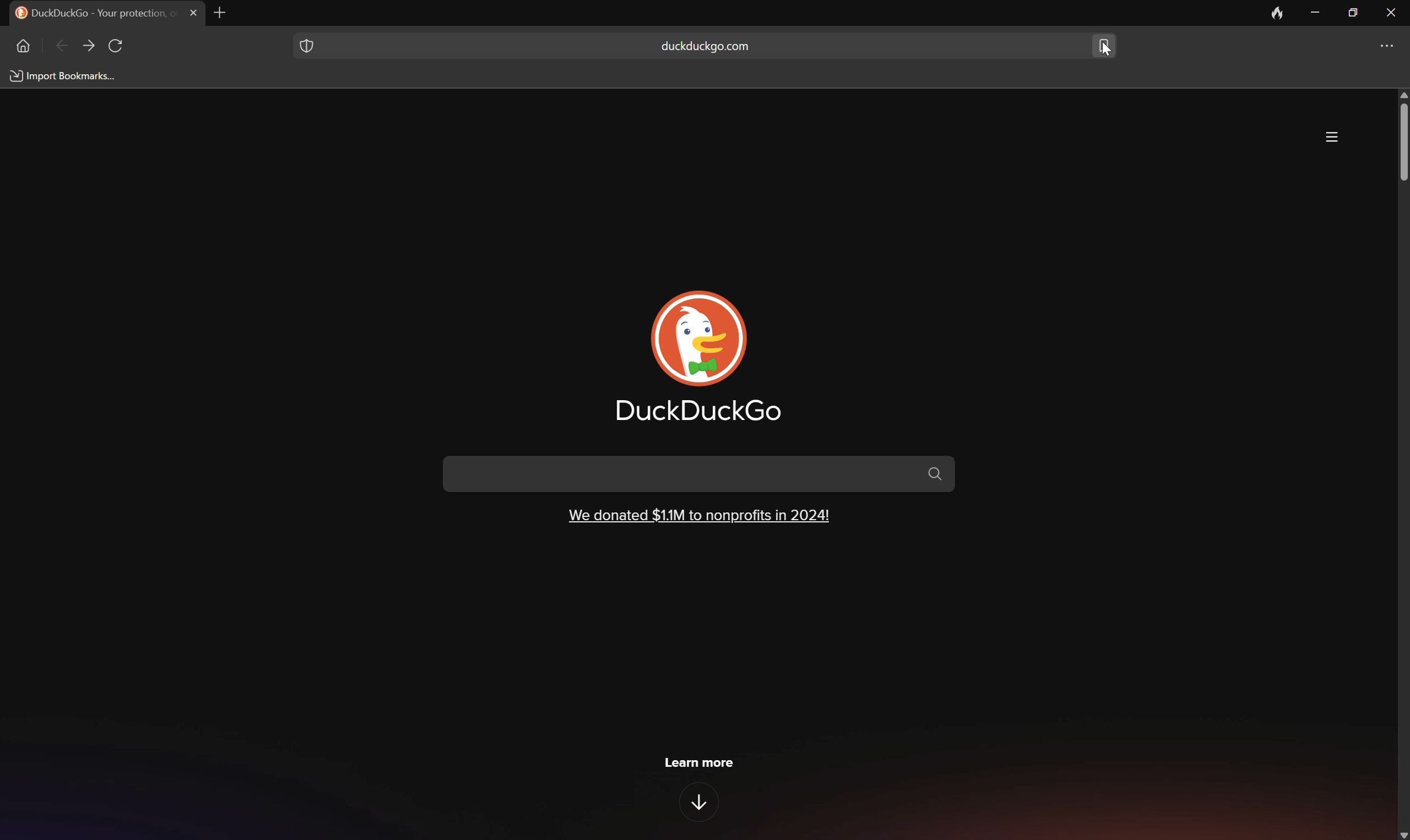 This screenshot has height=840, width=1410. Describe the element at coordinates (1401, 833) in the screenshot. I see `Scroll Down` at that location.